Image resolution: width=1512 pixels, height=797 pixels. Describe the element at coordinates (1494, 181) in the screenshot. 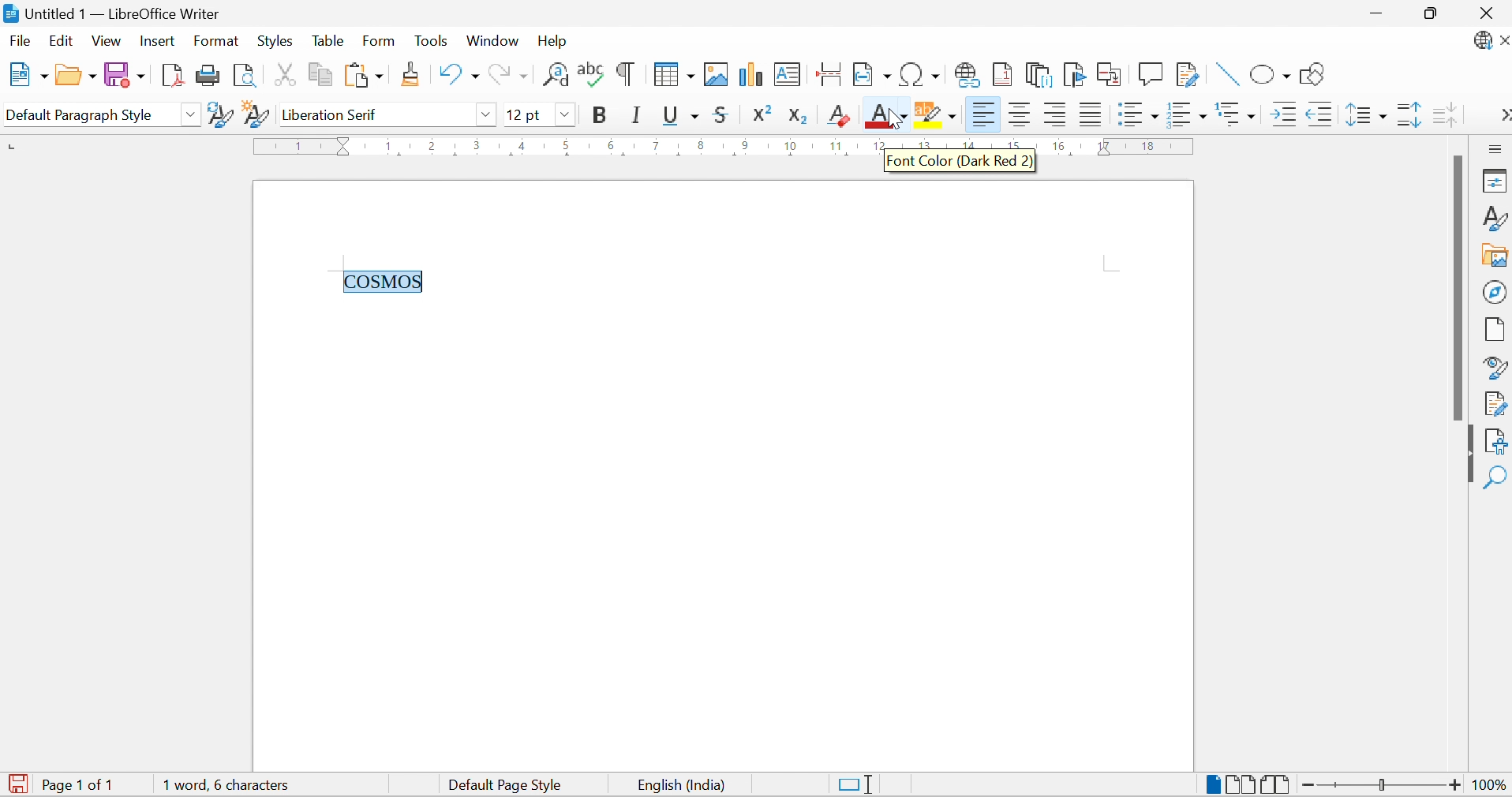

I see `Properties` at that location.